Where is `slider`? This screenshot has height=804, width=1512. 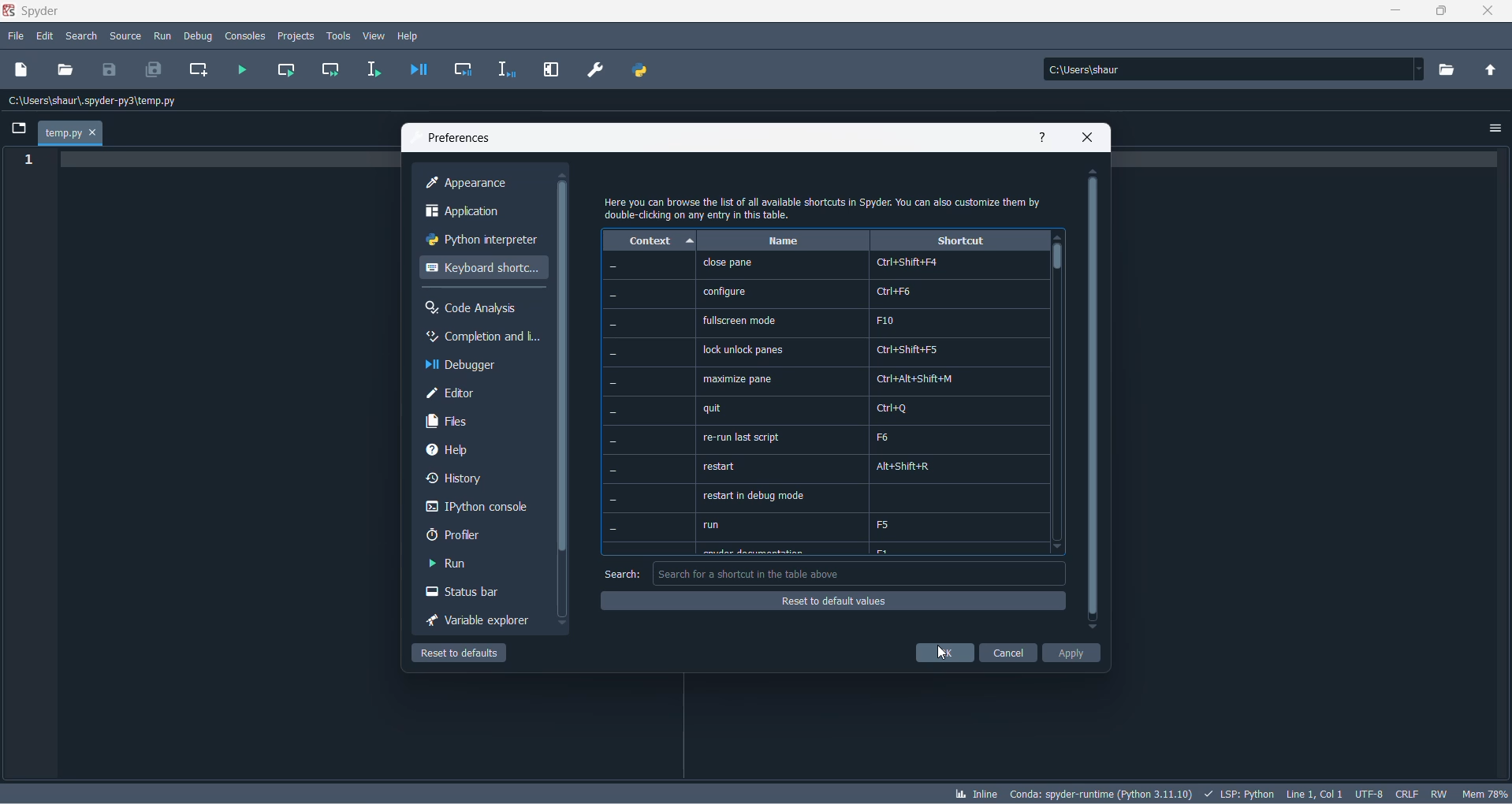 slider is located at coordinates (1057, 262).